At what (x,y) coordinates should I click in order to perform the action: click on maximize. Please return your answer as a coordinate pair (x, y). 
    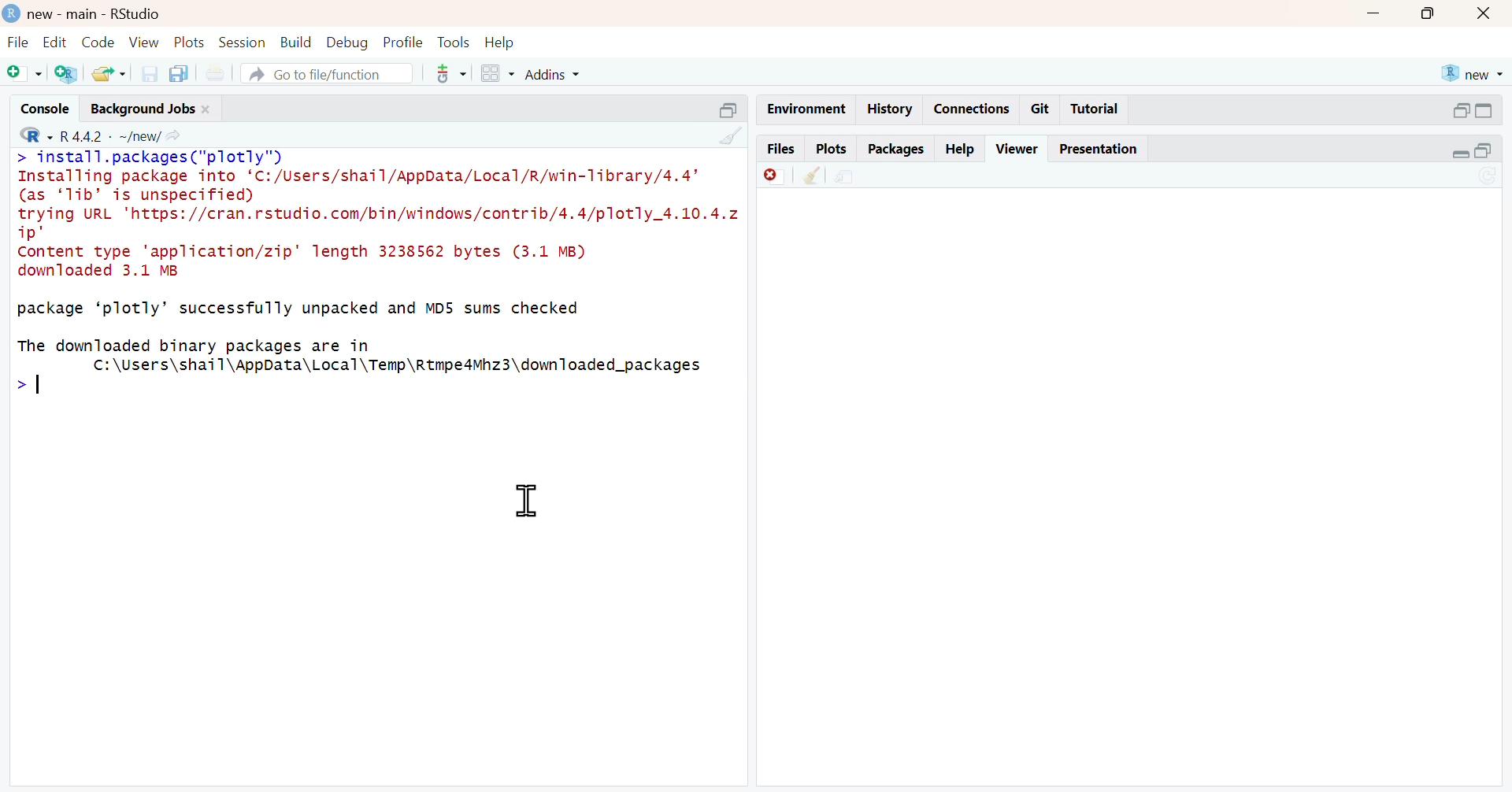
    Looking at the image, I should click on (1432, 12).